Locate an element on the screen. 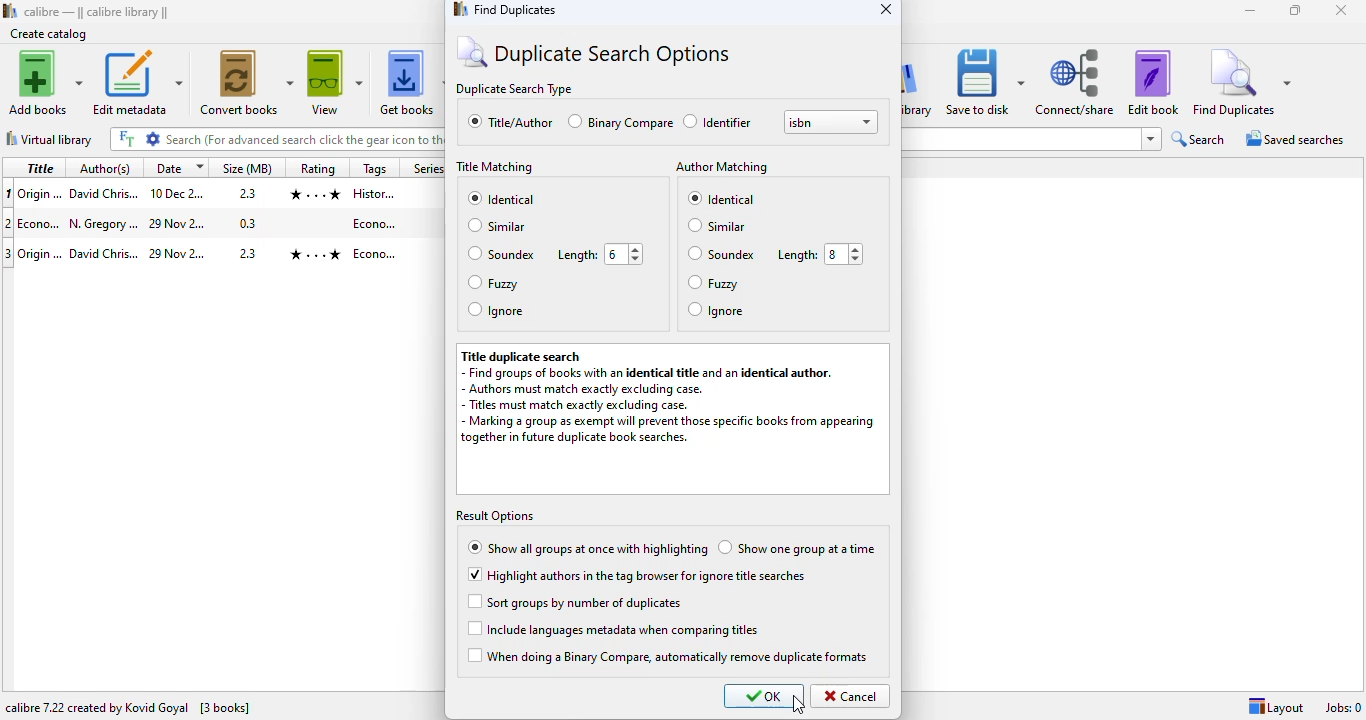 The width and height of the screenshot is (1366, 720). view is located at coordinates (334, 82).